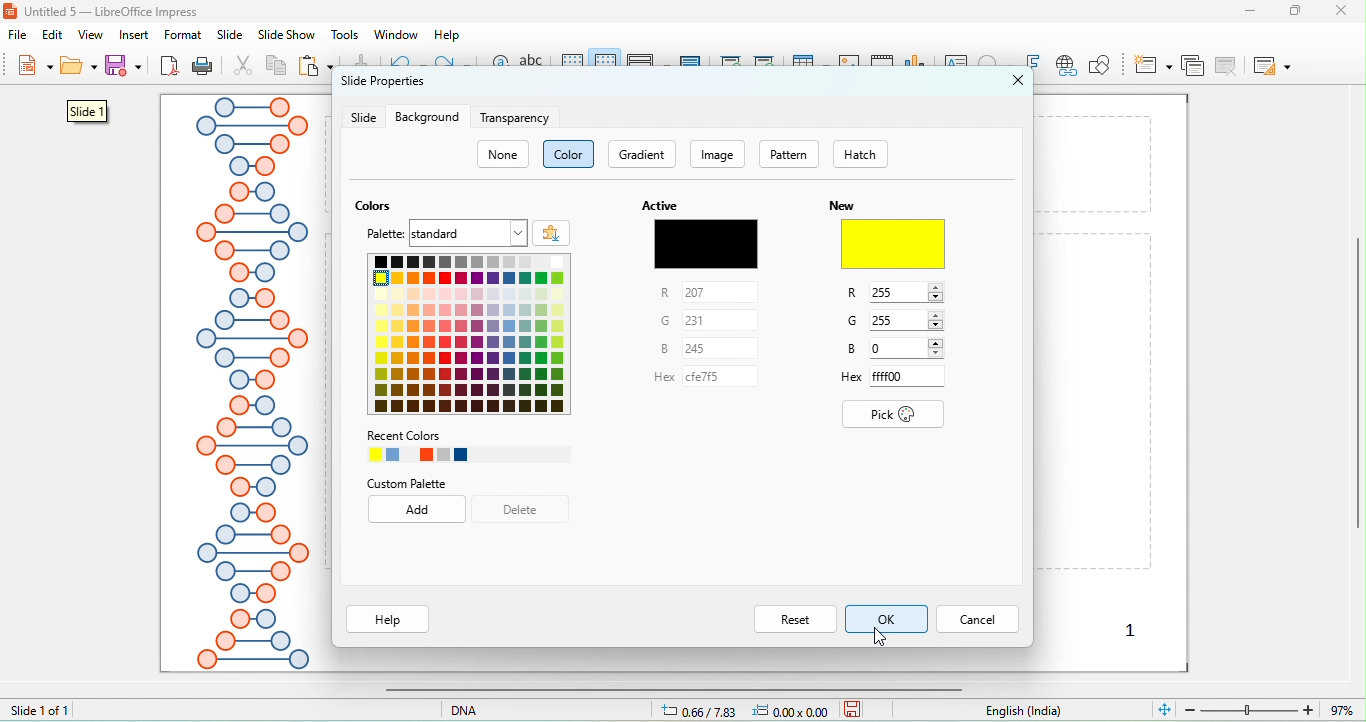 The height and width of the screenshot is (722, 1366). I want to click on window, so click(394, 34).